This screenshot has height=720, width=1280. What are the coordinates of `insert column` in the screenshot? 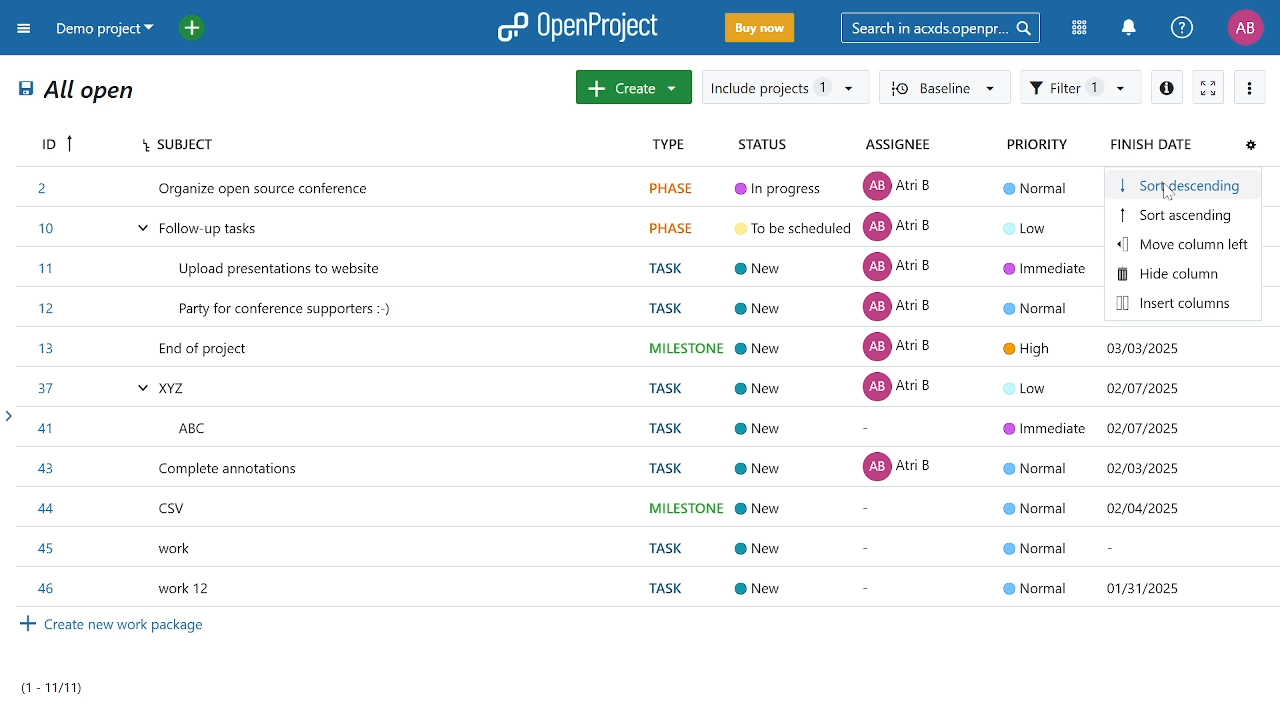 It's located at (1183, 304).